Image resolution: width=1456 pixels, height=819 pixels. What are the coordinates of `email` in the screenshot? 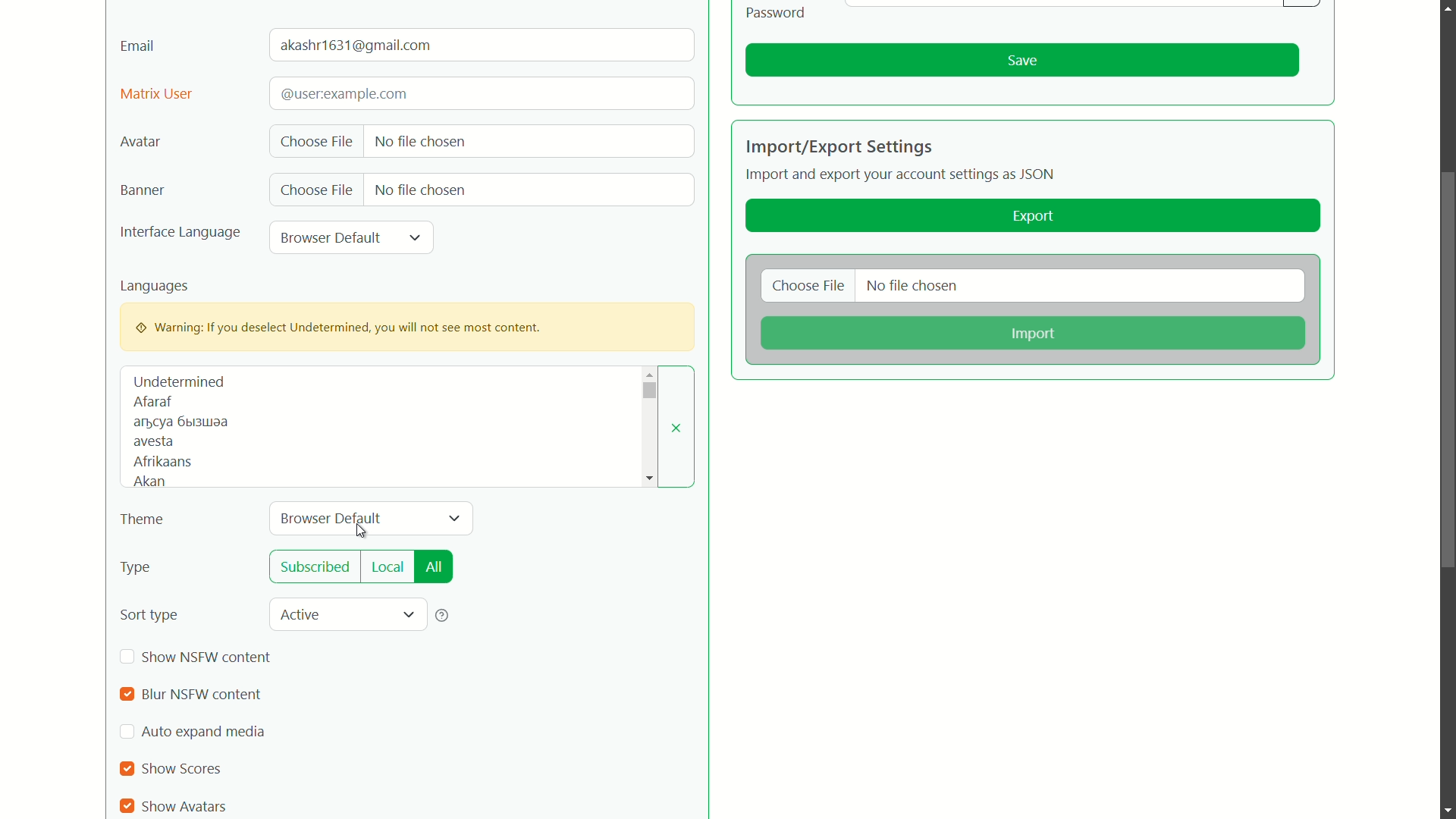 It's located at (138, 45).